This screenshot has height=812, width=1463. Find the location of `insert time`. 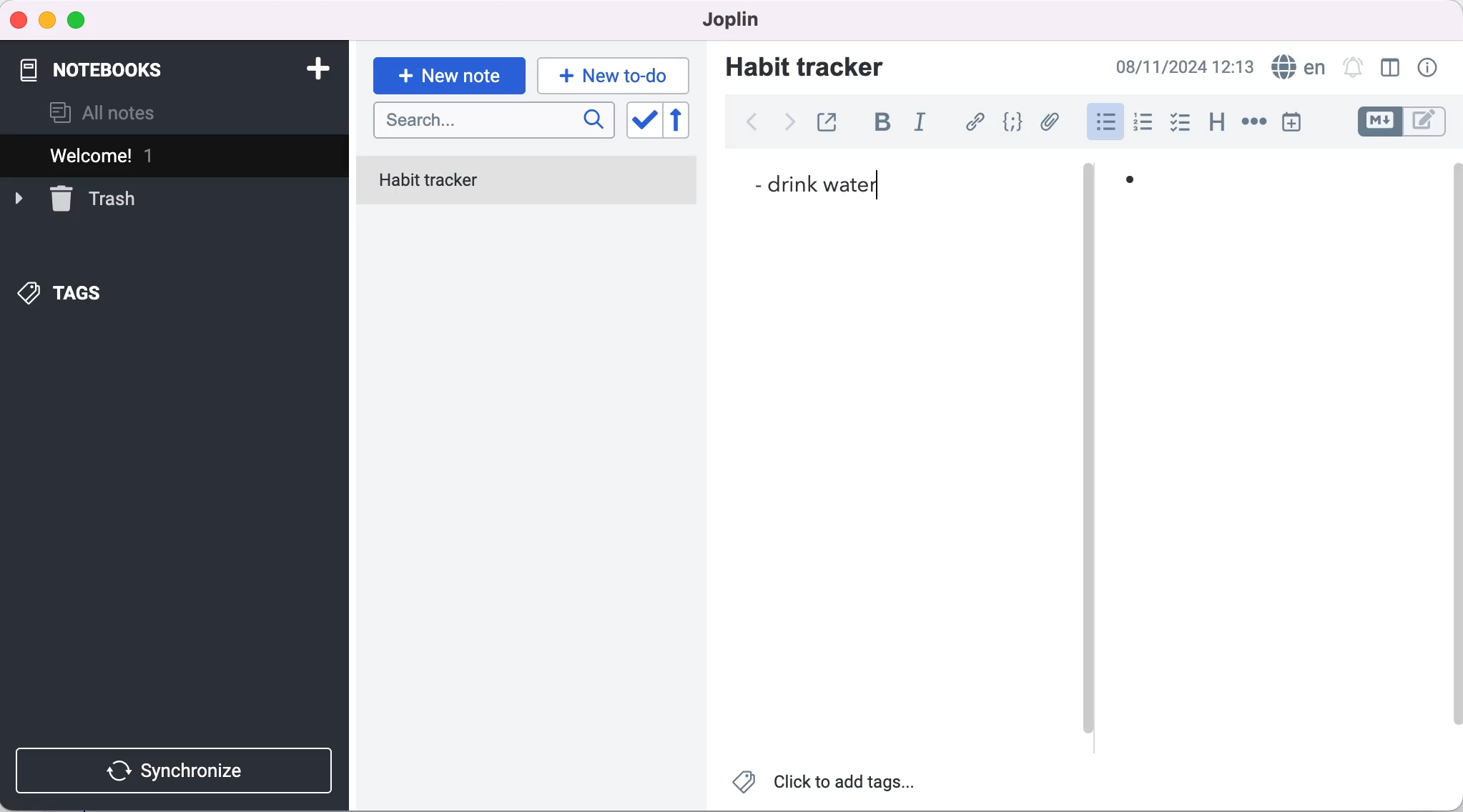

insert time is located at coordinates (1291, 122).